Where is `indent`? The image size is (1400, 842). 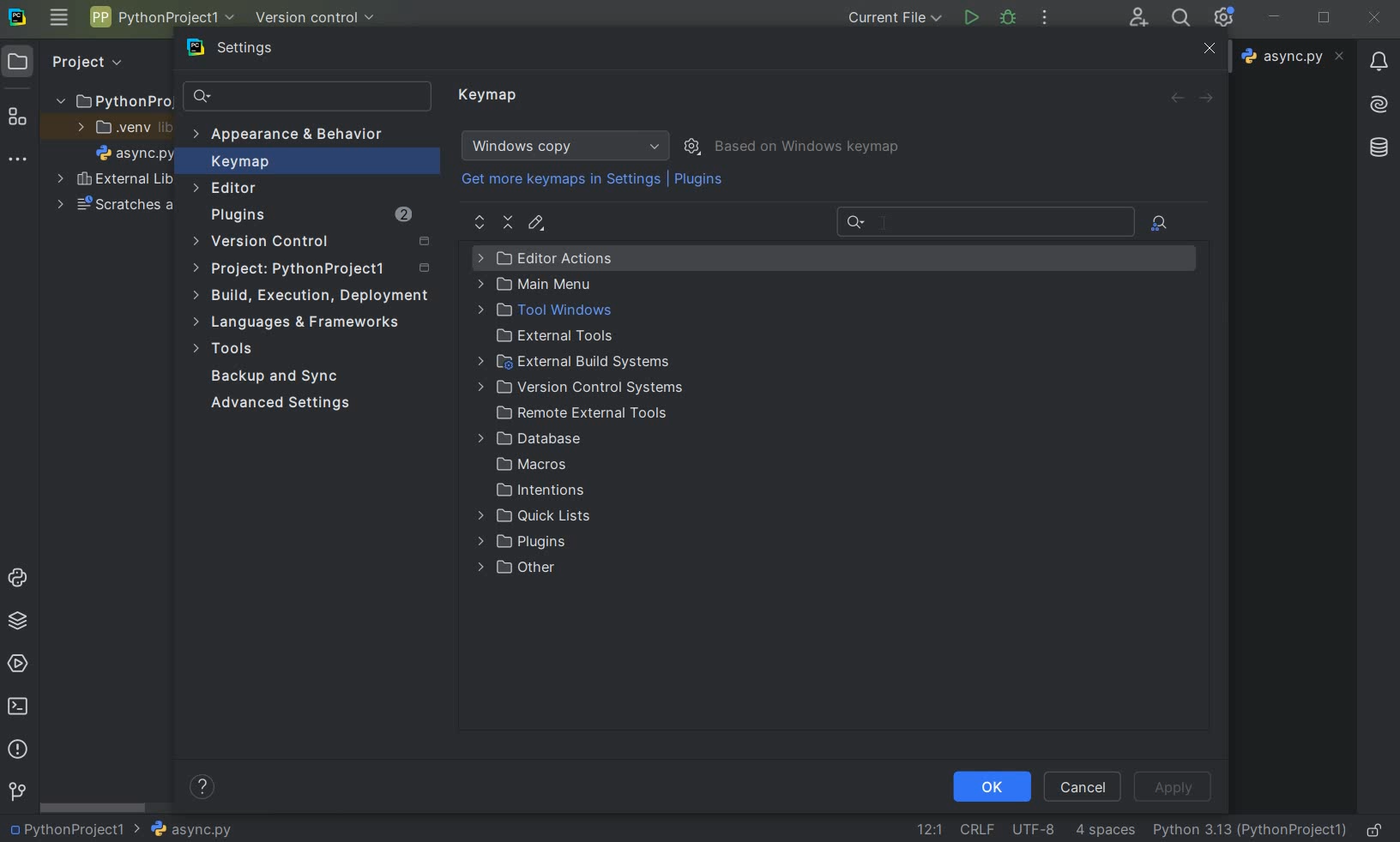
indent is located at coordinates (1105, 830).